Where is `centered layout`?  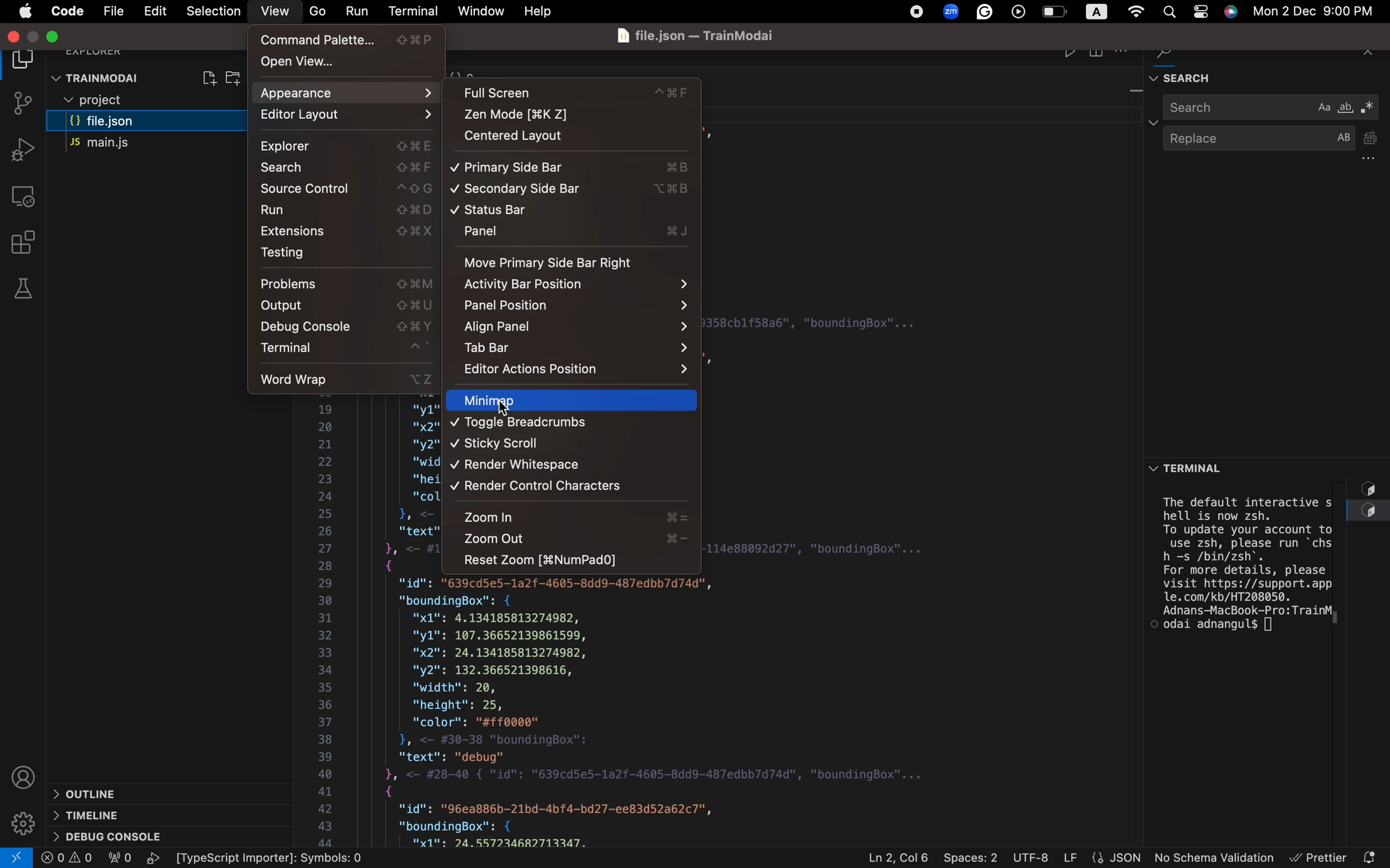
centered layout is located at coordinates (570, 134).